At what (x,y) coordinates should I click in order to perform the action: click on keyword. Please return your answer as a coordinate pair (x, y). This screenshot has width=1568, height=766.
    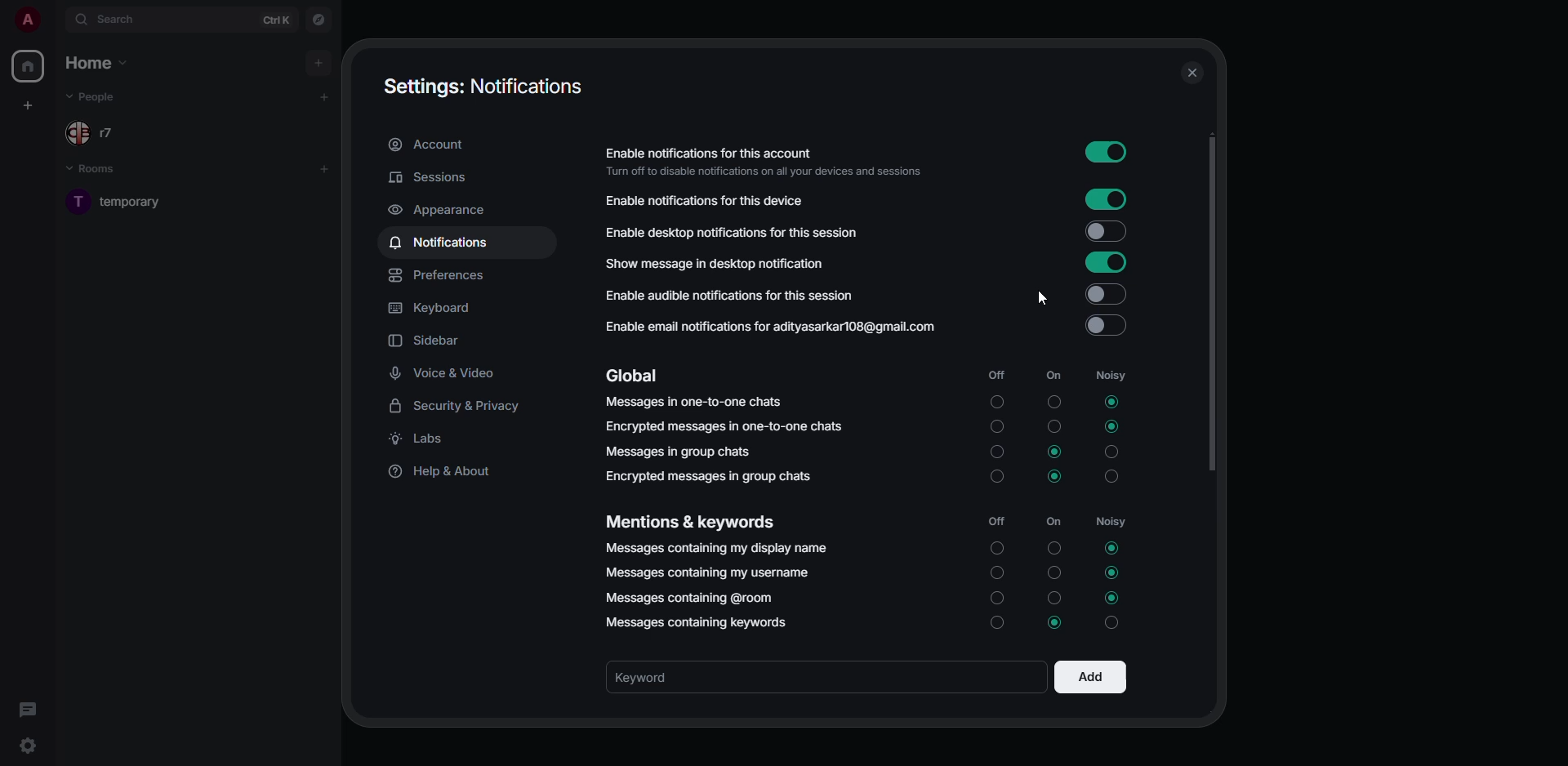
    Looking at the image, I should click on (650, 677).